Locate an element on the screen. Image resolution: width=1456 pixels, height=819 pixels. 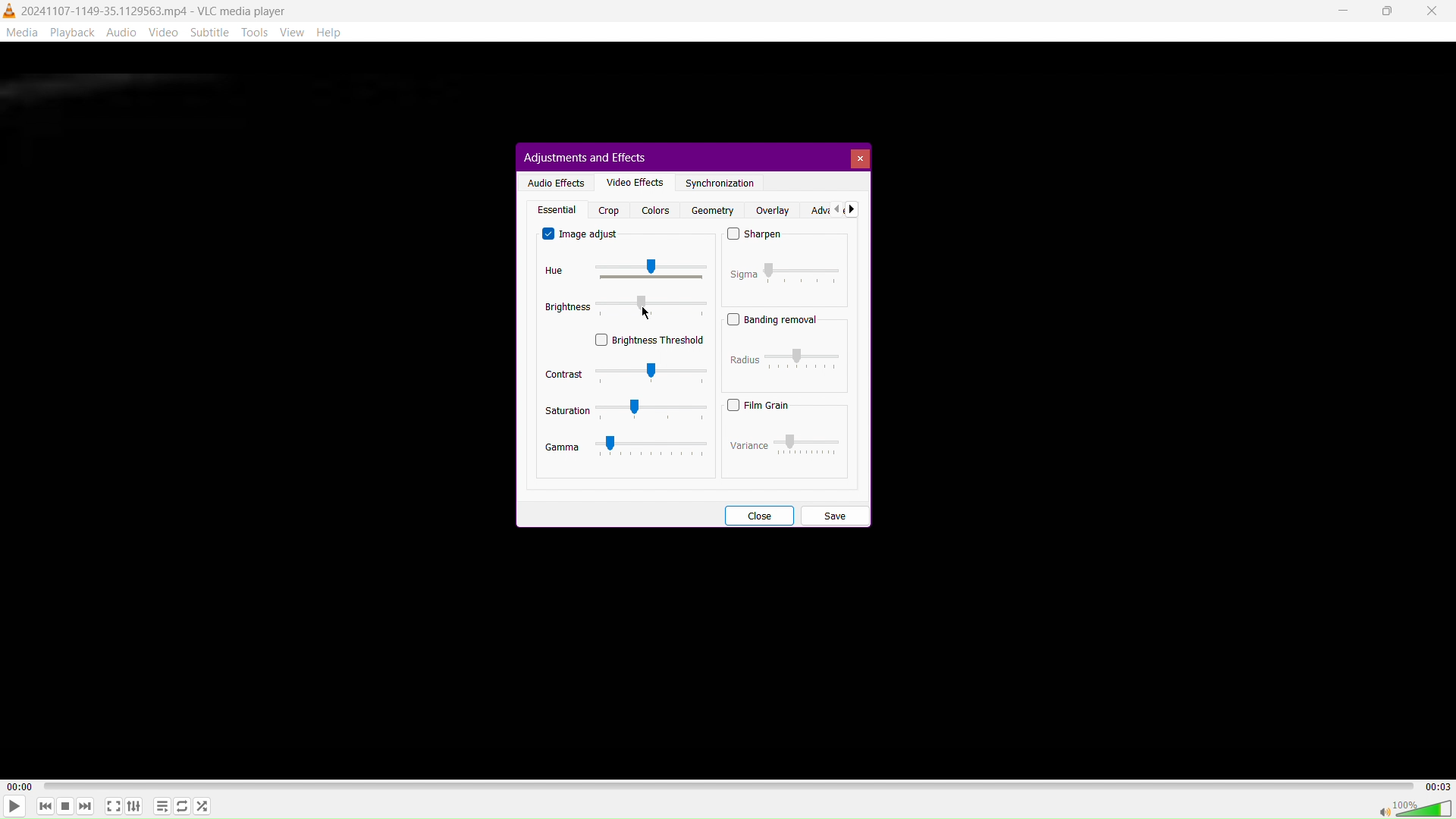
Volume 100% is located at coordinates (1414, 808).